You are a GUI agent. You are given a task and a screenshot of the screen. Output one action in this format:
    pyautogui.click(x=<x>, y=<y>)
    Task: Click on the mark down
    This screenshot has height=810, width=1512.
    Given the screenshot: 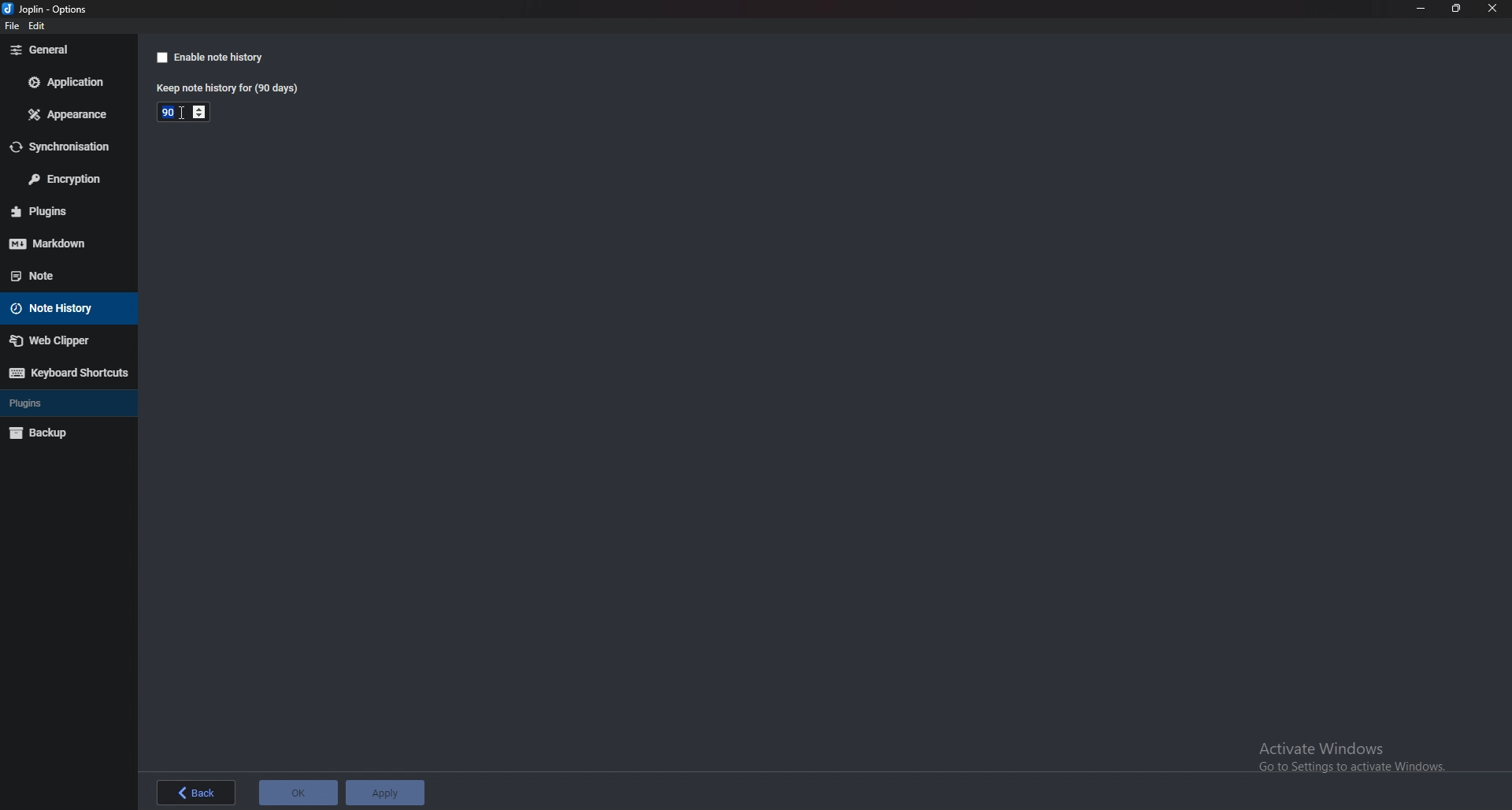 What is the action you would take?
    pyautogui.click(x=63, y=243)
    